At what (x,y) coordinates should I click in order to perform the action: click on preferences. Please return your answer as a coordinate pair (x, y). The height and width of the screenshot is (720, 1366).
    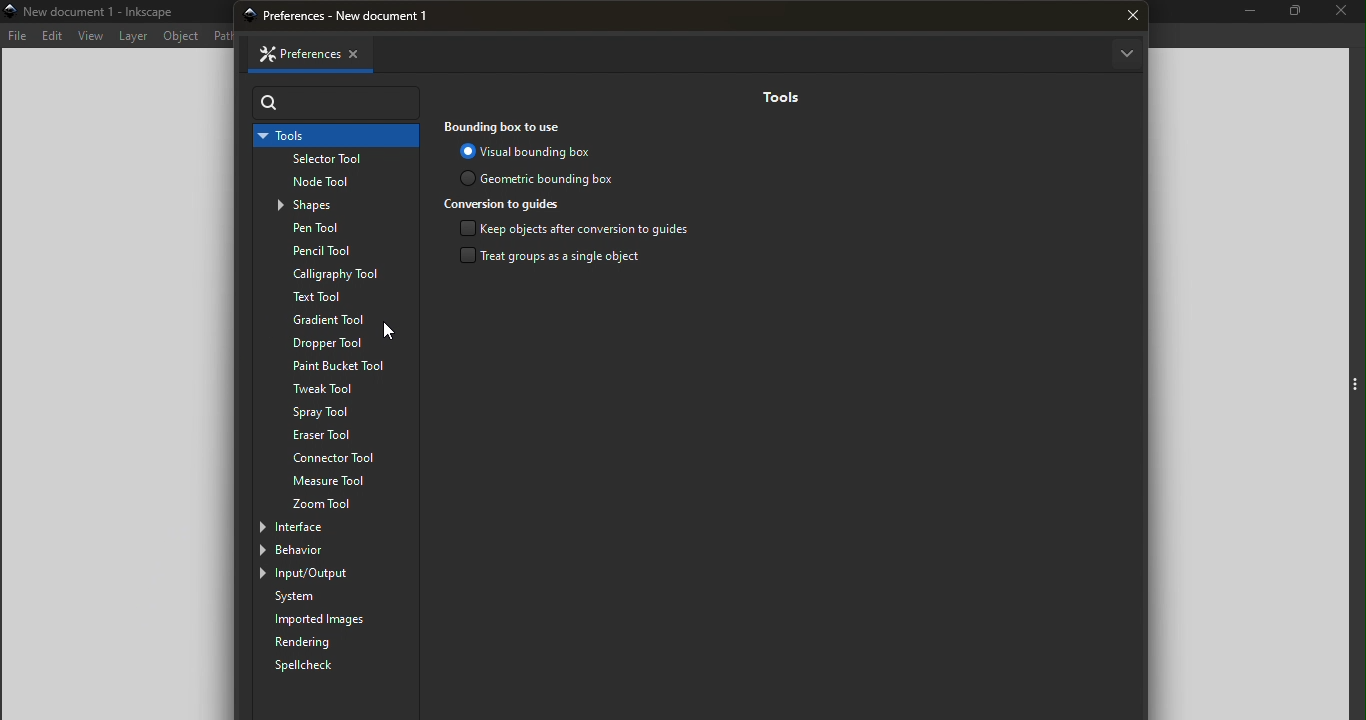
    Looking at the image, I should click on (353, 16).